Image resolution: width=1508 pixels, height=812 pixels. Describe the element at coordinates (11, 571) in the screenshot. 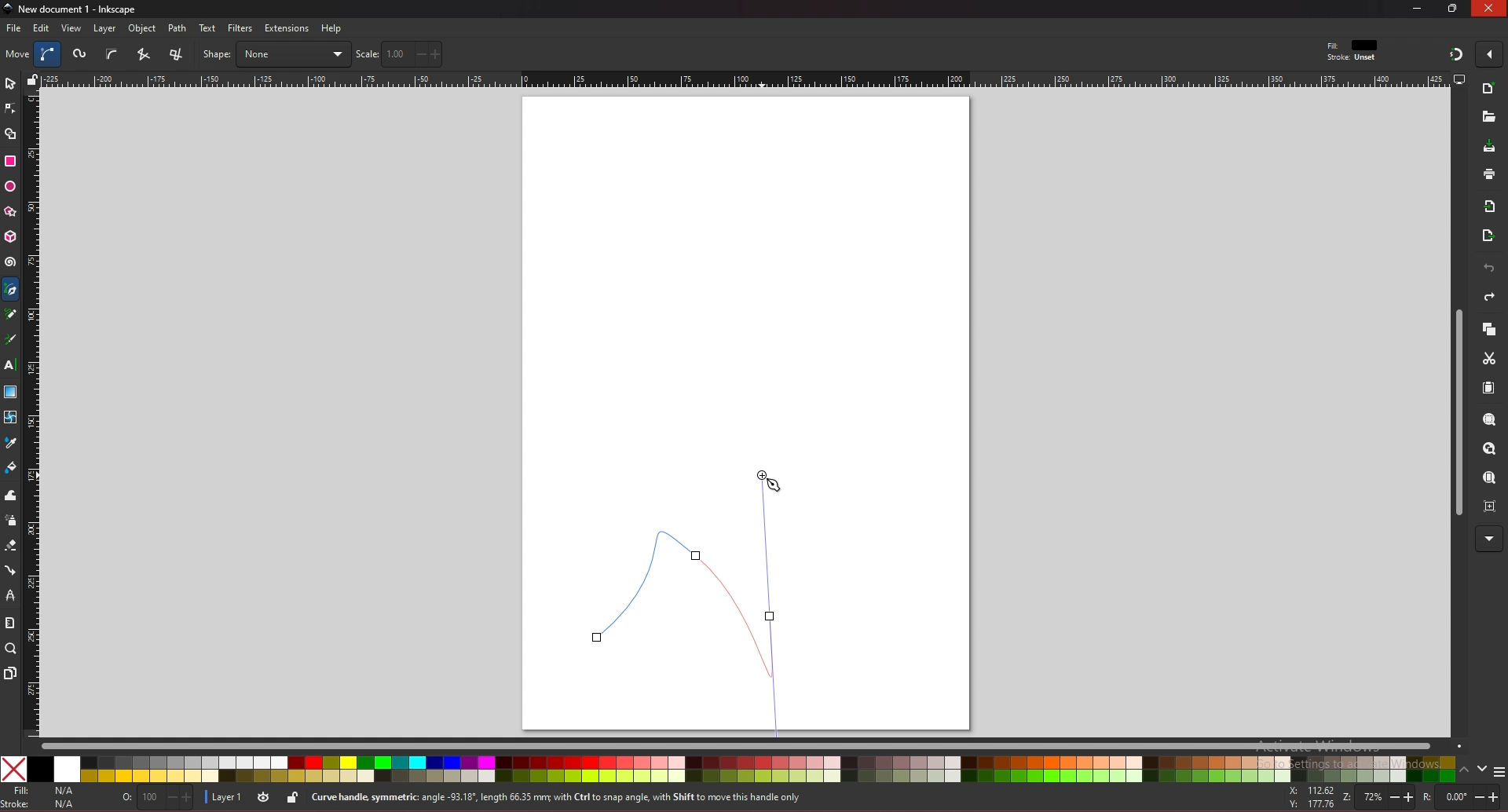

I see `connector` at that location.